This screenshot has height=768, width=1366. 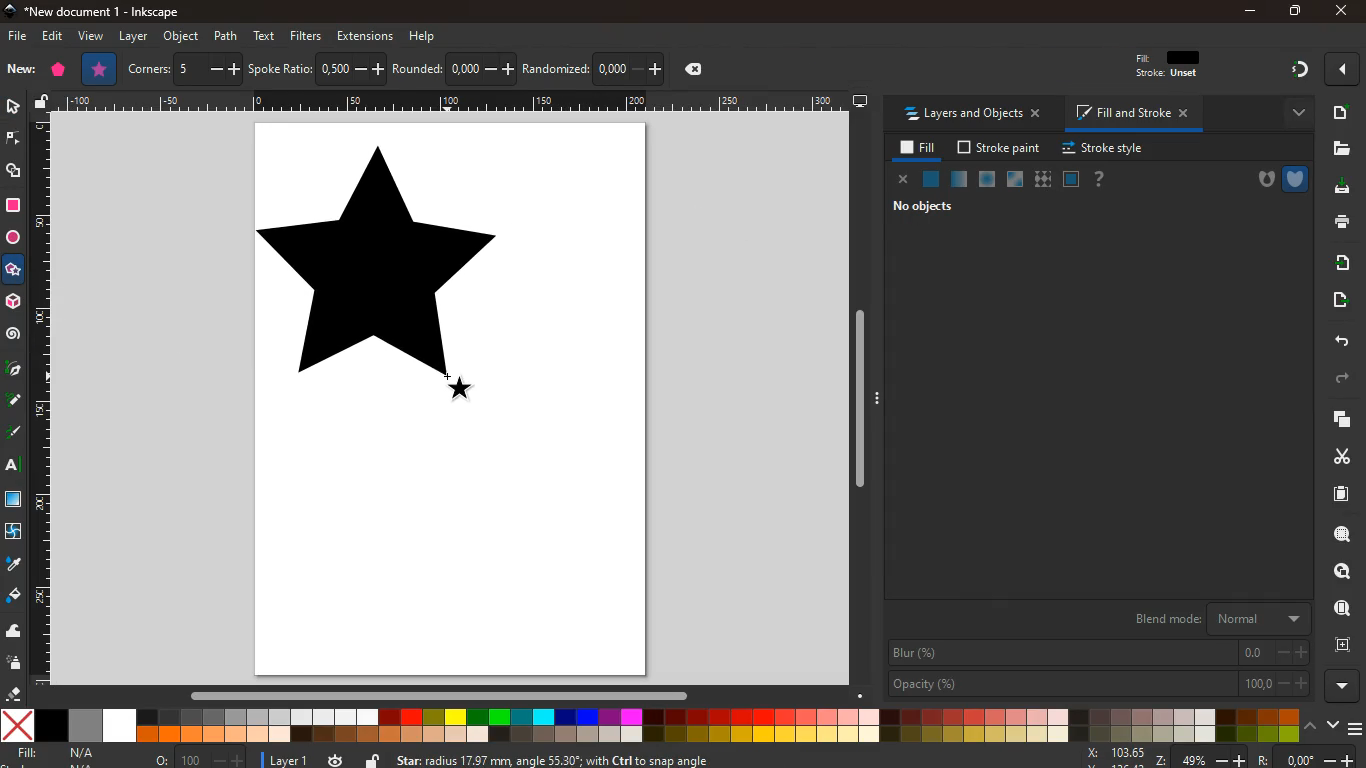 I want to click on close, so click(x=903, y=180).